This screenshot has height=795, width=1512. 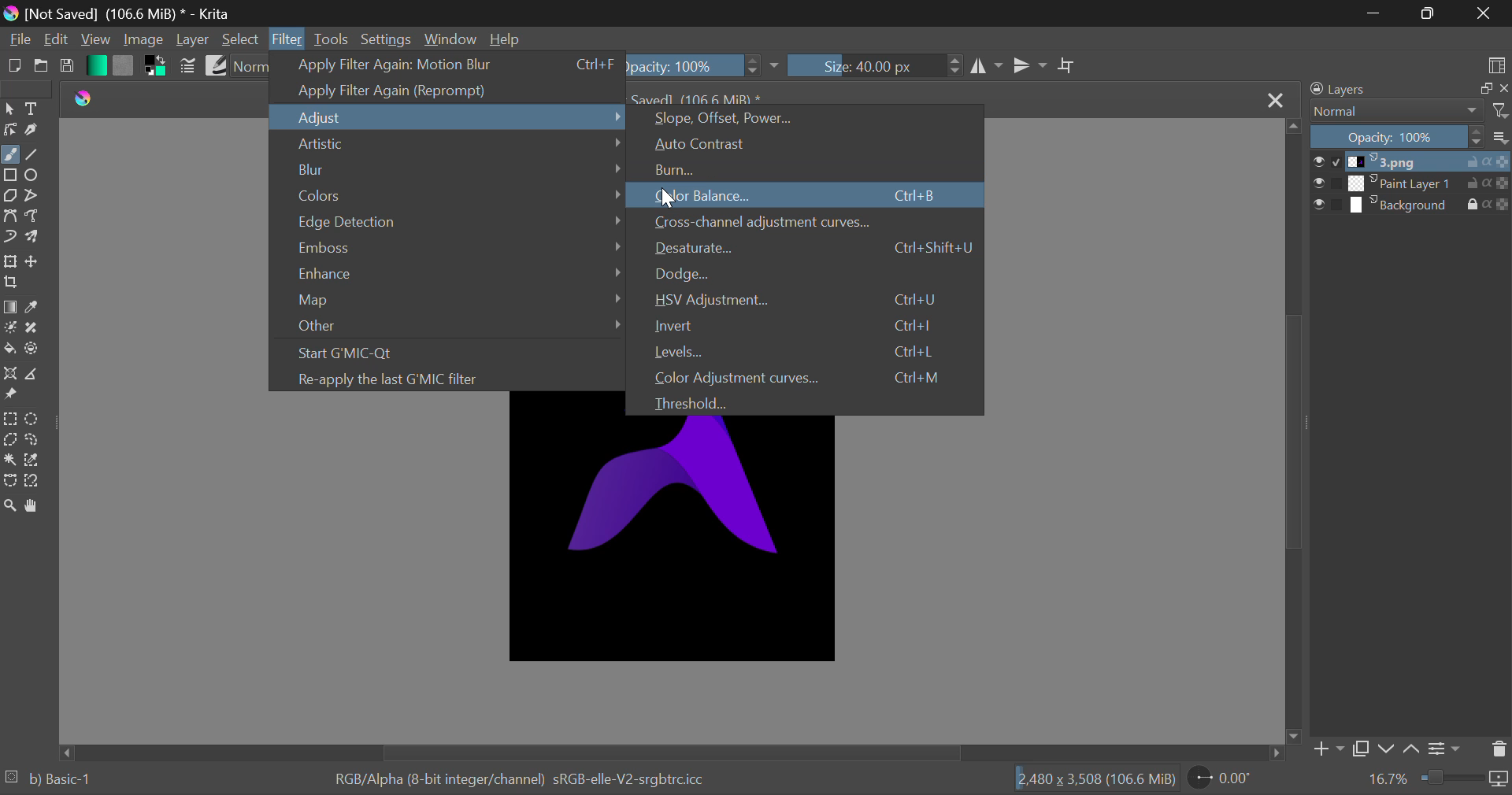 What do you see at coordinates (32, 374) in the screenshot?
I see `Measurements` at bounding box center [32, 374].